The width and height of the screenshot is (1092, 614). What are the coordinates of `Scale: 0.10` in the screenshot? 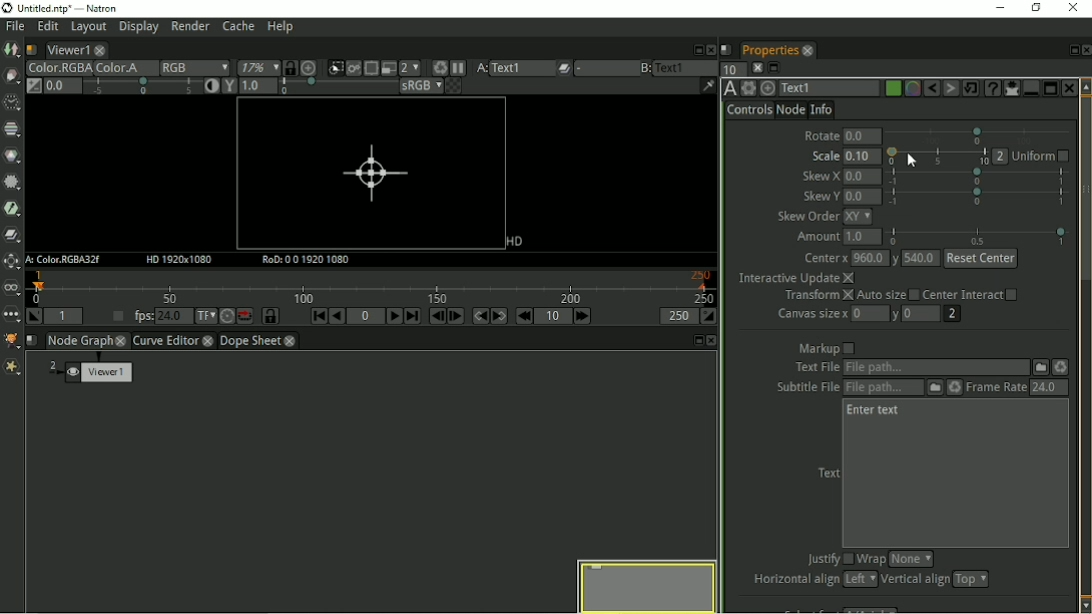 It's located at (843, 156).